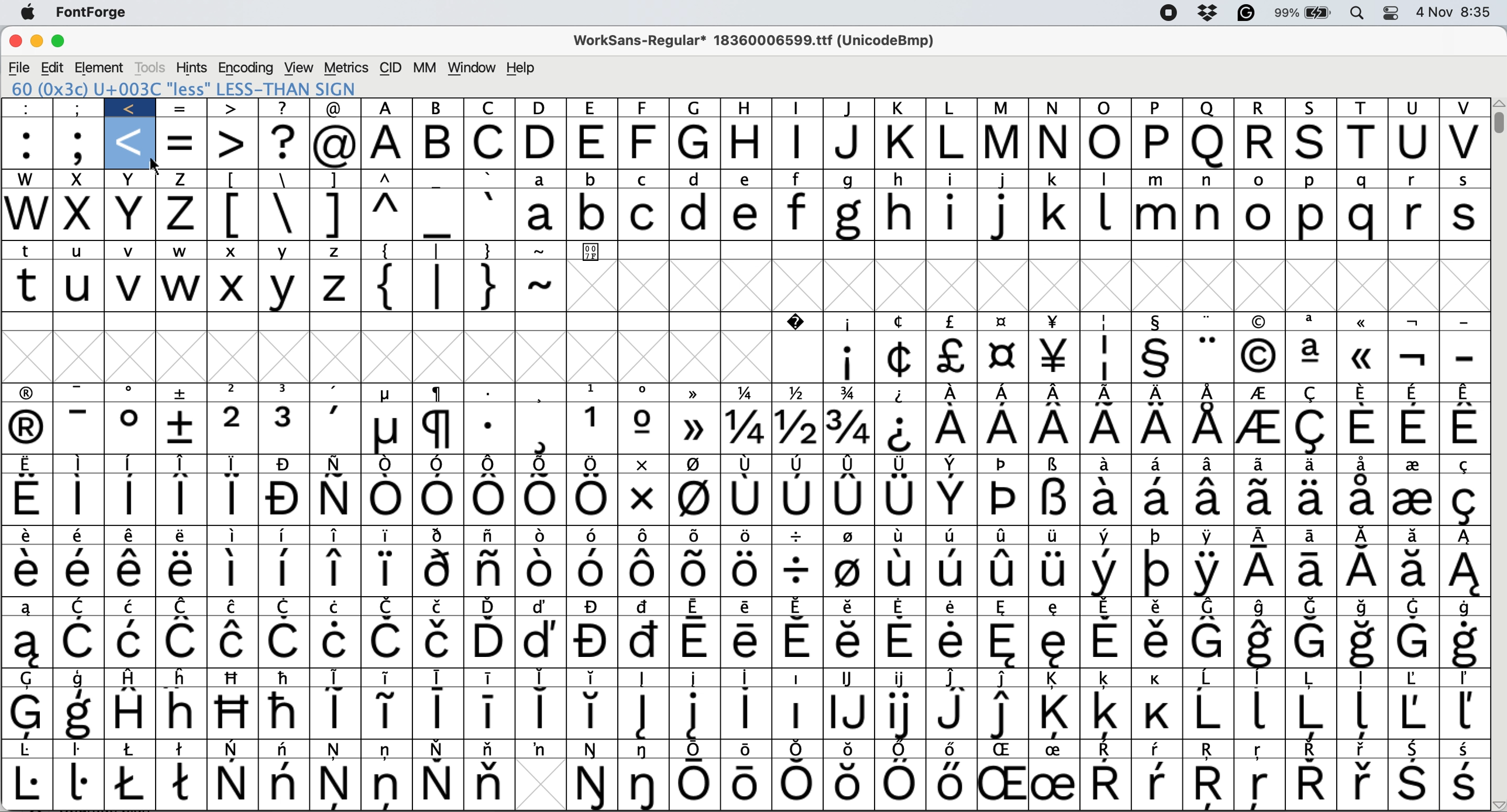  What do you see at coordinates (338, 677) in the screenshot?
I see `symbol` at bounding box center [338, 677].